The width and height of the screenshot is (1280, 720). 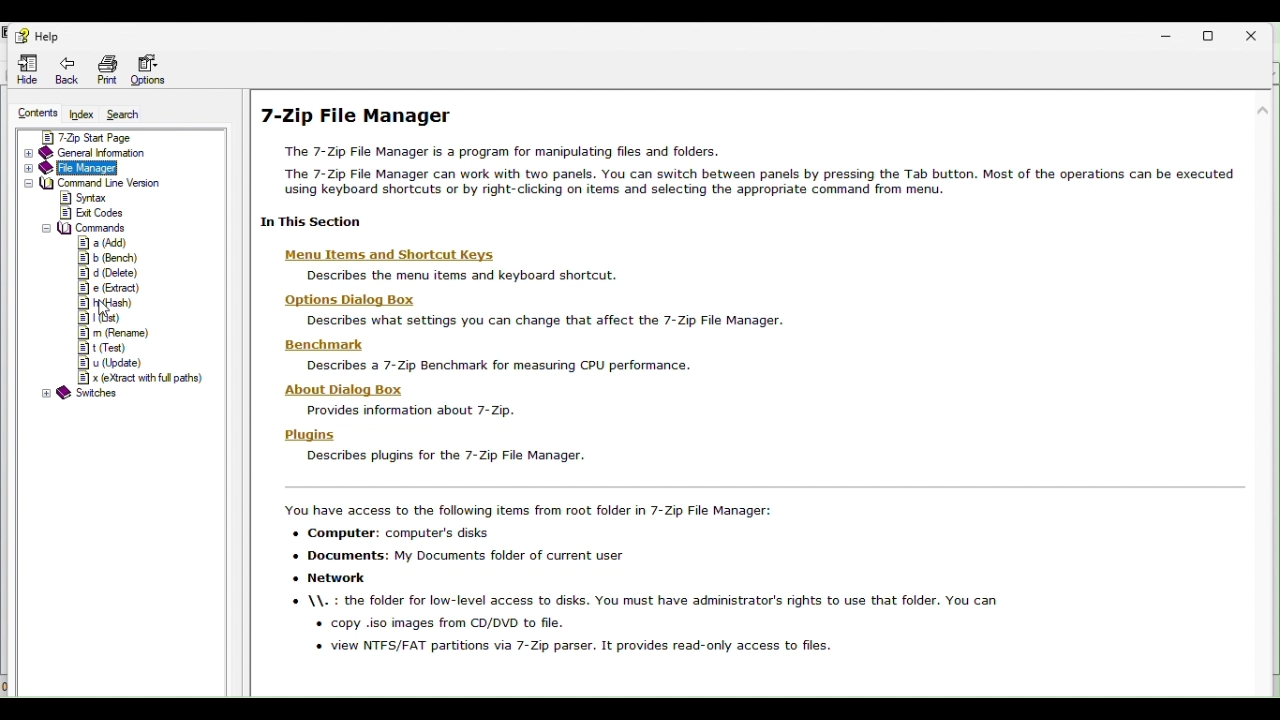 What do you see at coordinates (759, 165) in the screenshot?
I see `7 zip file manager help page` at bounding box center [759, 165].